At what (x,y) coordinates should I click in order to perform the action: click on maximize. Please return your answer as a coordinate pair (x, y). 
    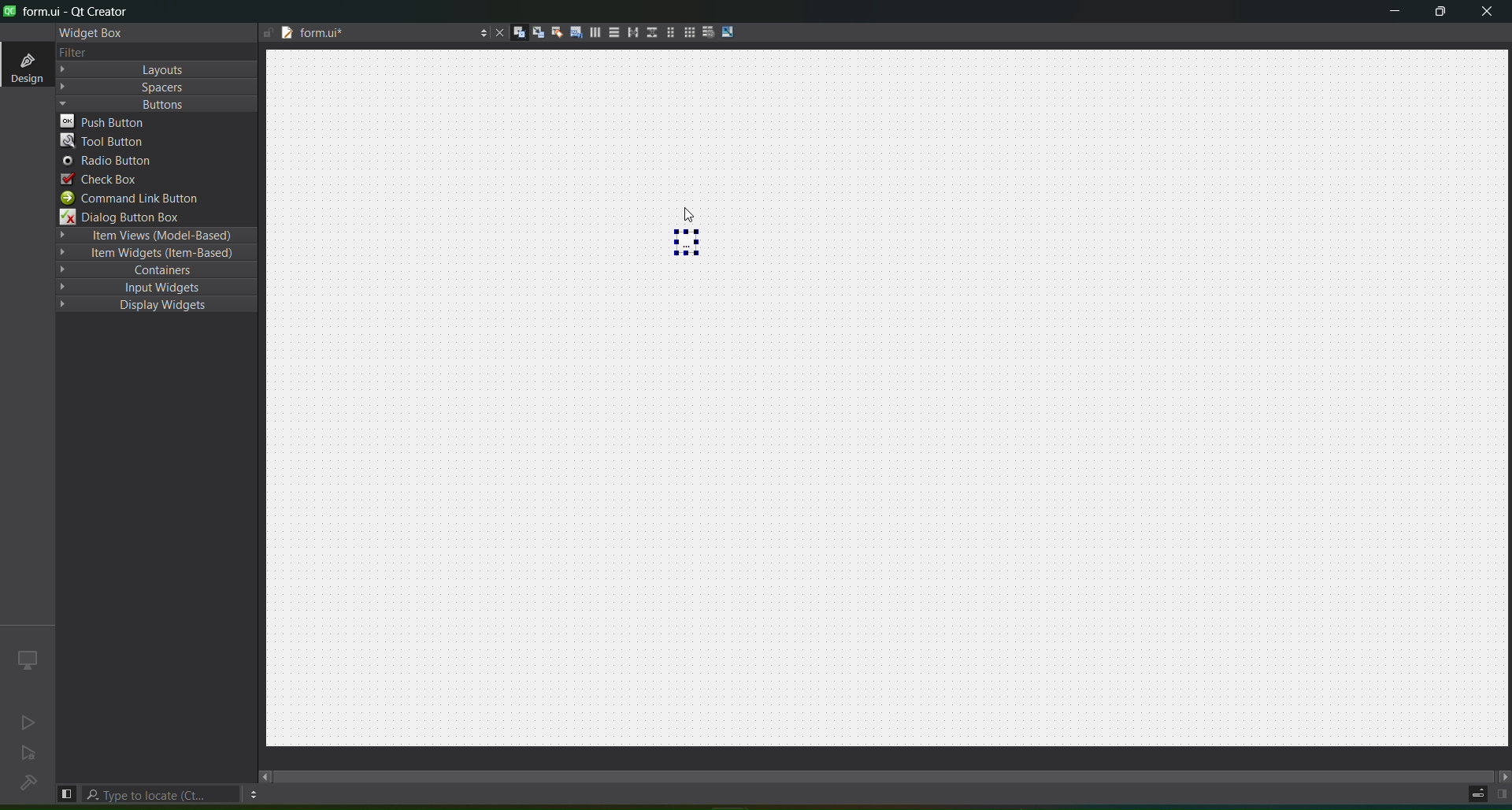
    Looking at the image, I should click on (1438, 13).